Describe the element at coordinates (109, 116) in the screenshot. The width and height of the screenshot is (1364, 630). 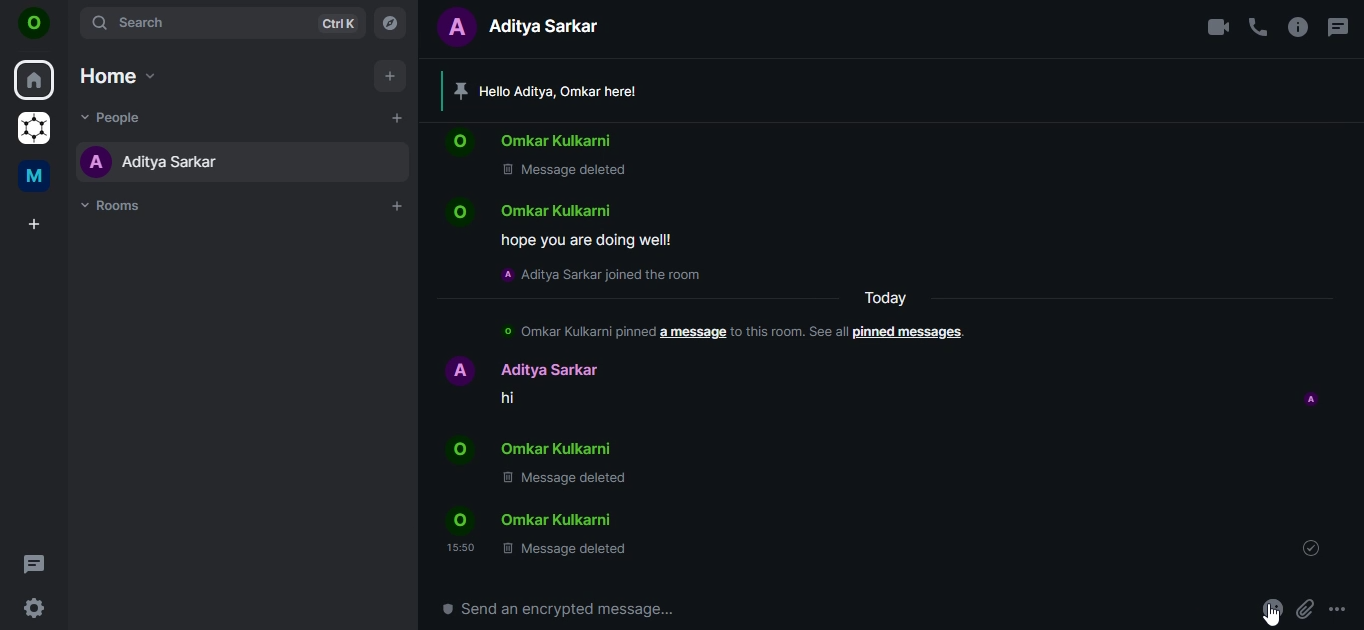
I see `people` at that location.